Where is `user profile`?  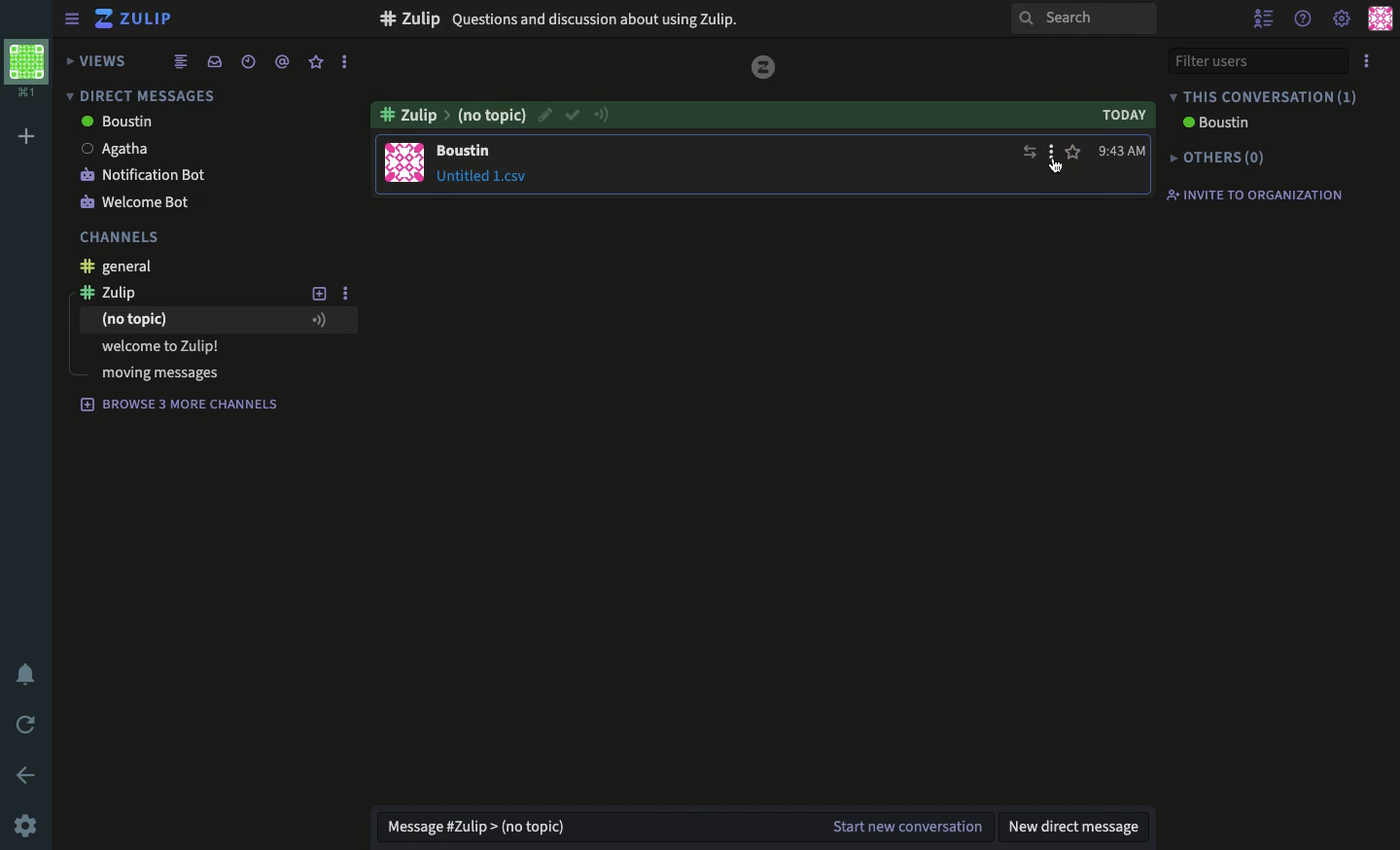 user profile is located at coordinates (406, 162).